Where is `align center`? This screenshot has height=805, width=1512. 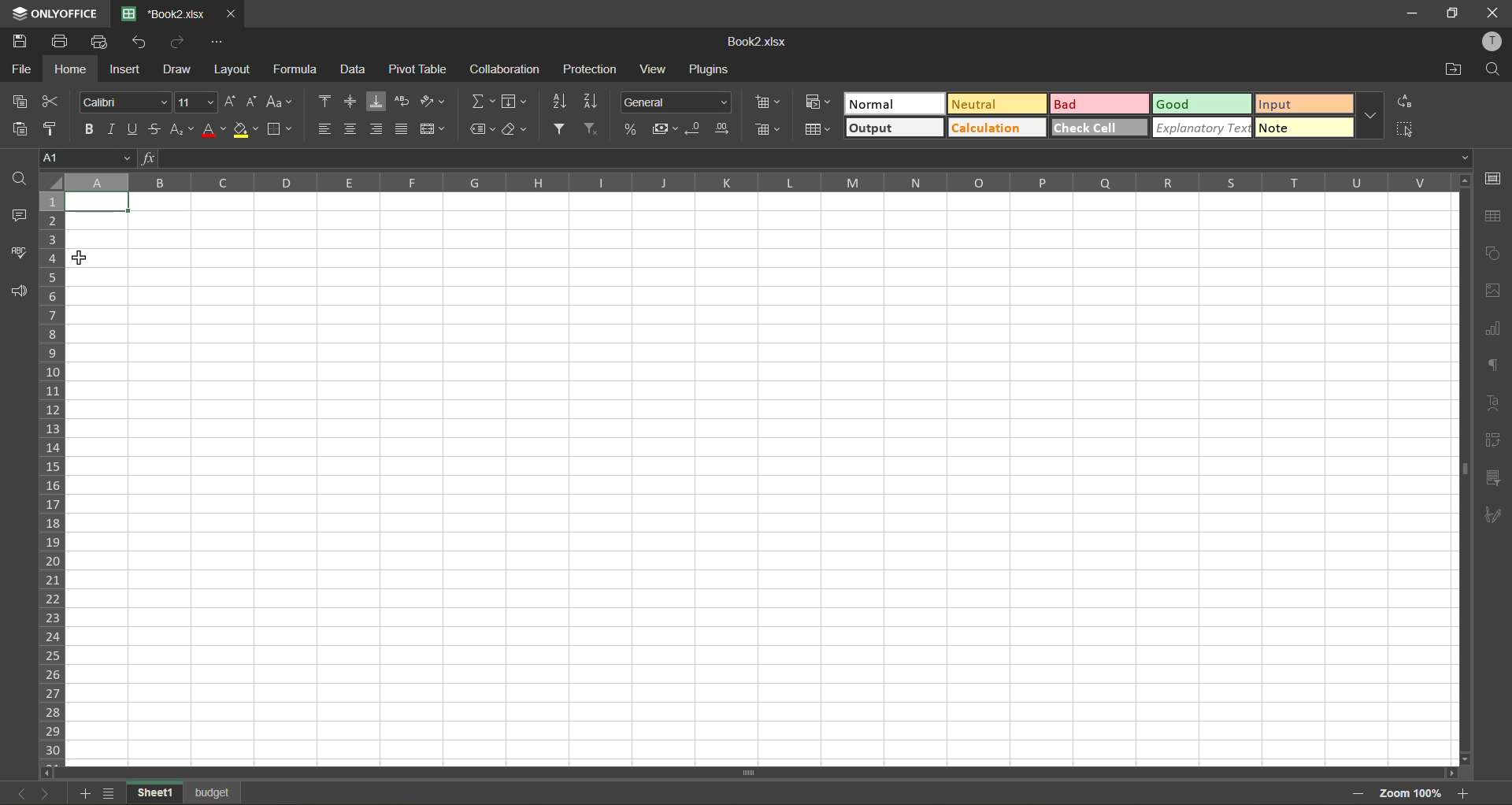
align center is located at coordinates (353, 130).